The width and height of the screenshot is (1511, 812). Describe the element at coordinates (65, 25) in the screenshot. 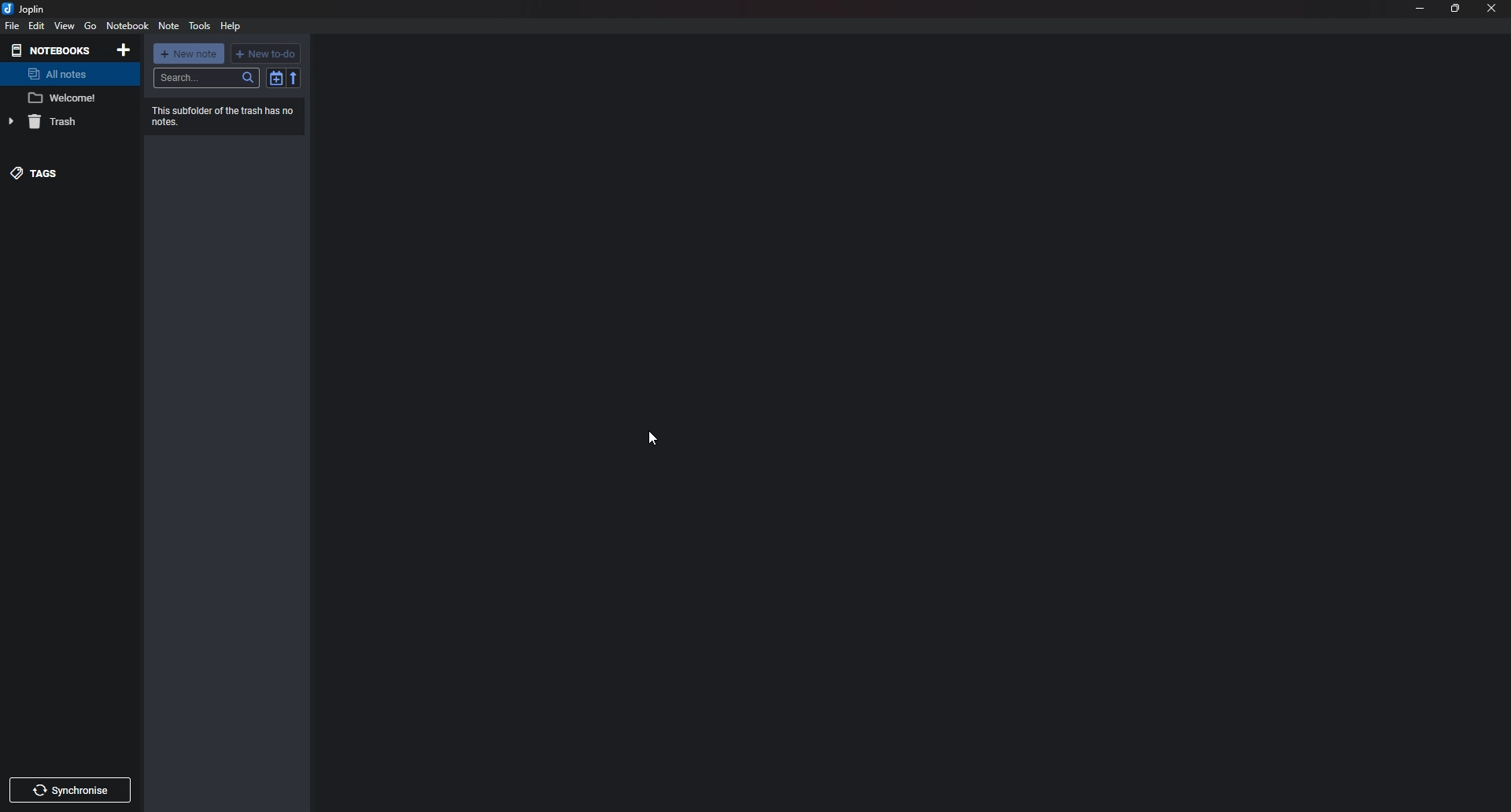

I see `view` at that location.